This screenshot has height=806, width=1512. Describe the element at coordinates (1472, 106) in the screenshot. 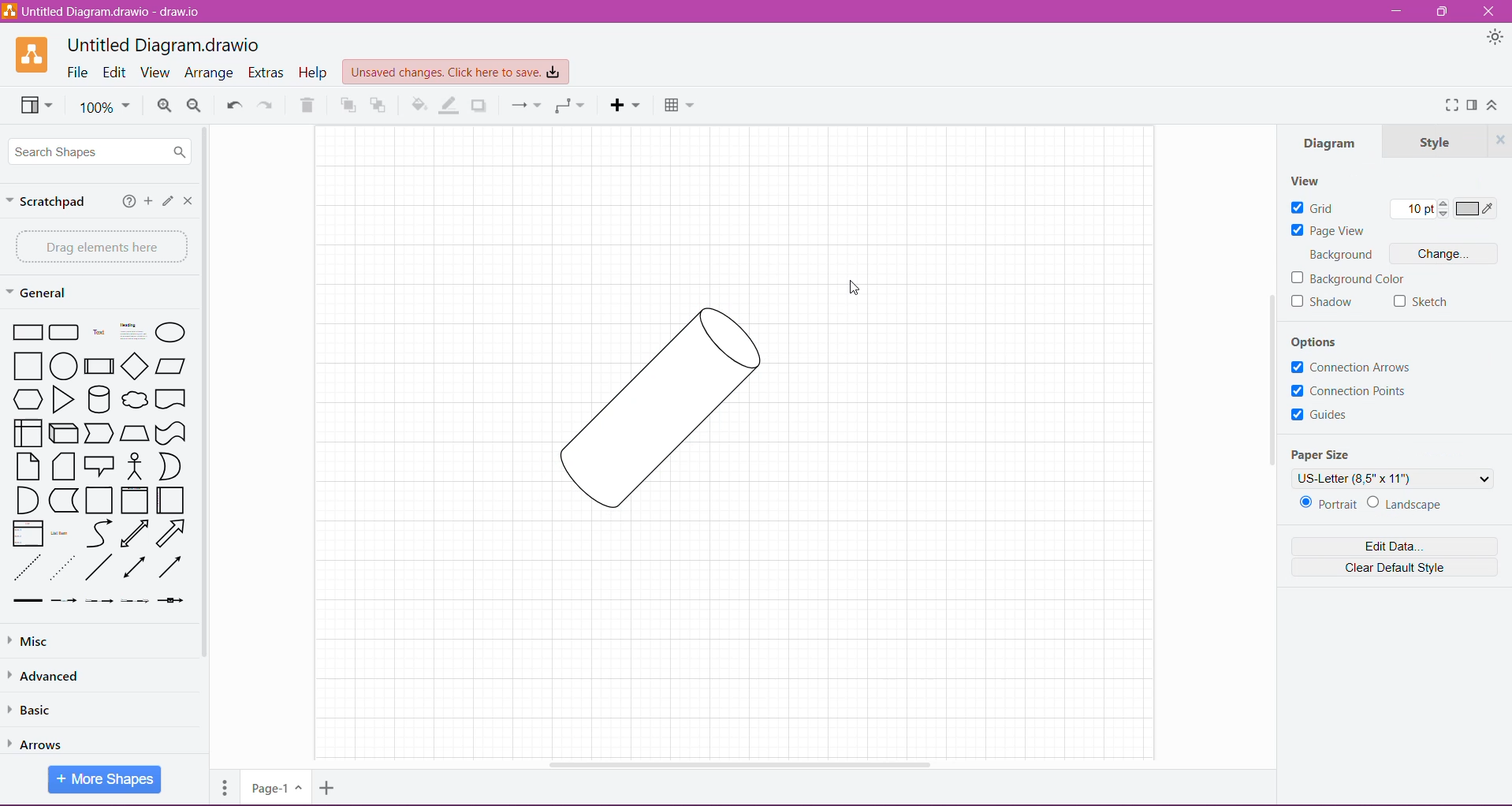

I see `Format` at that location.